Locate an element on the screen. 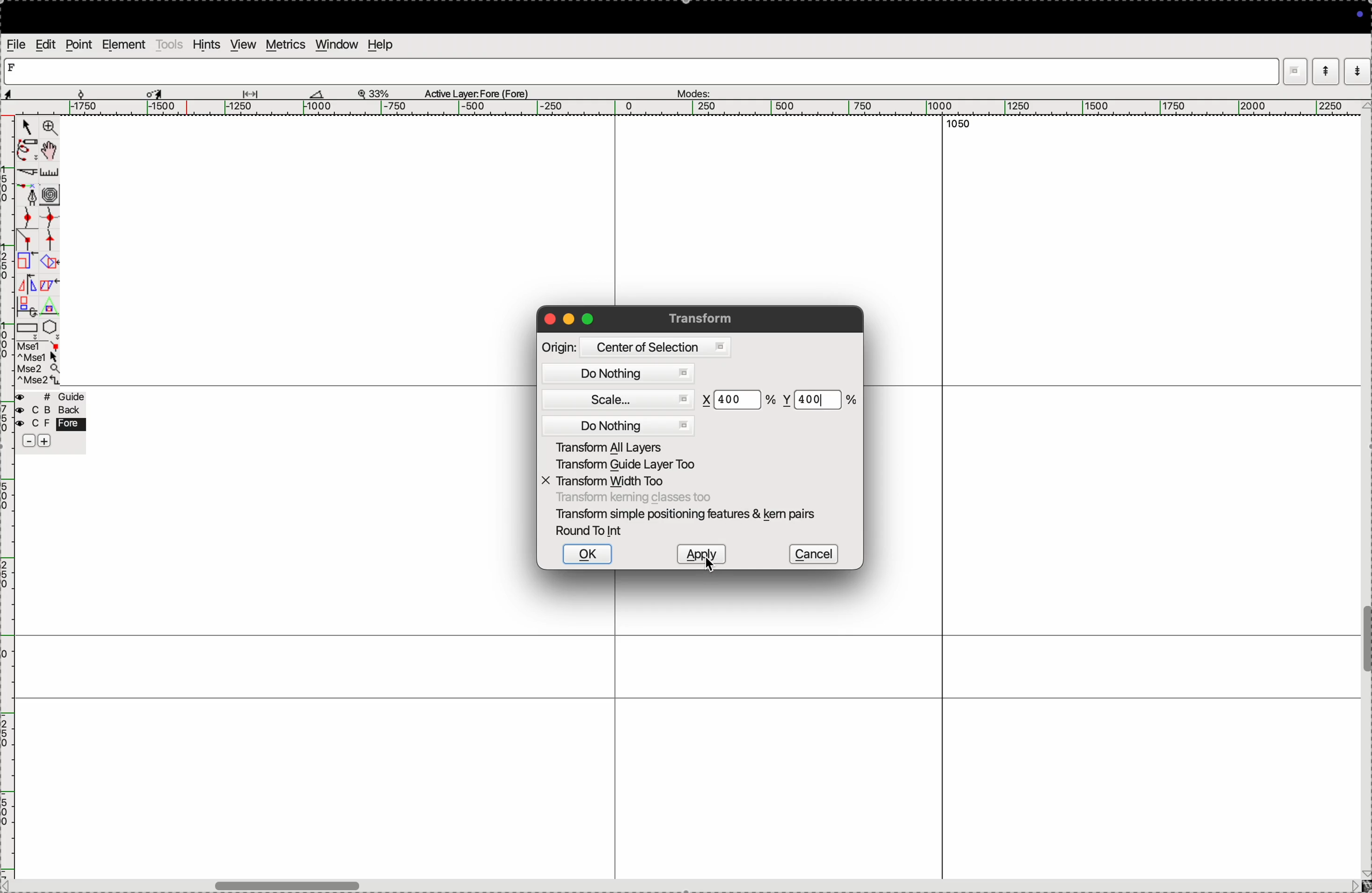 The height and width of the screenshot is (893, 1372). ok is located at coordinates (587, 554).